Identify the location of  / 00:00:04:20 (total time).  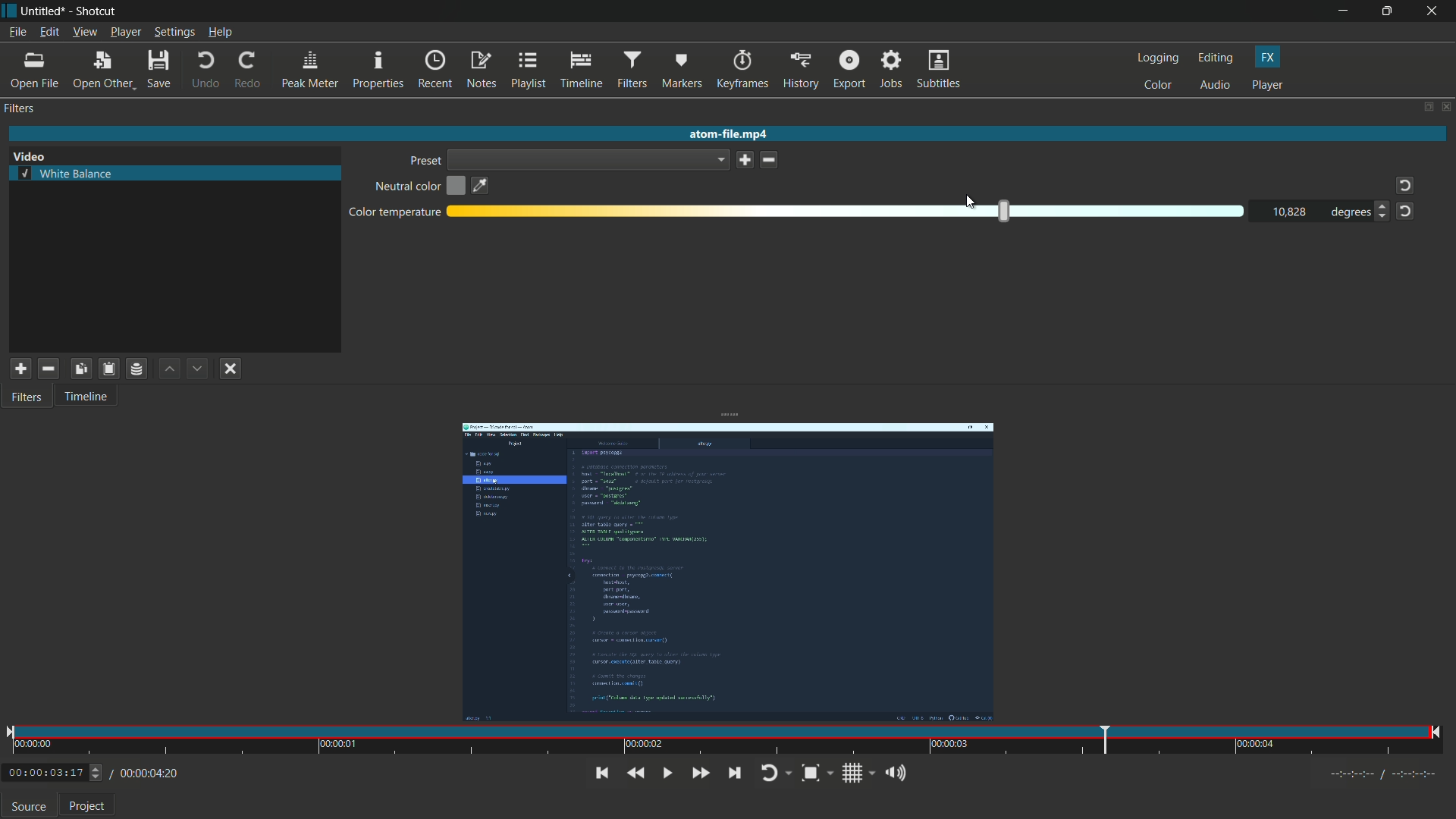
(146, 771).